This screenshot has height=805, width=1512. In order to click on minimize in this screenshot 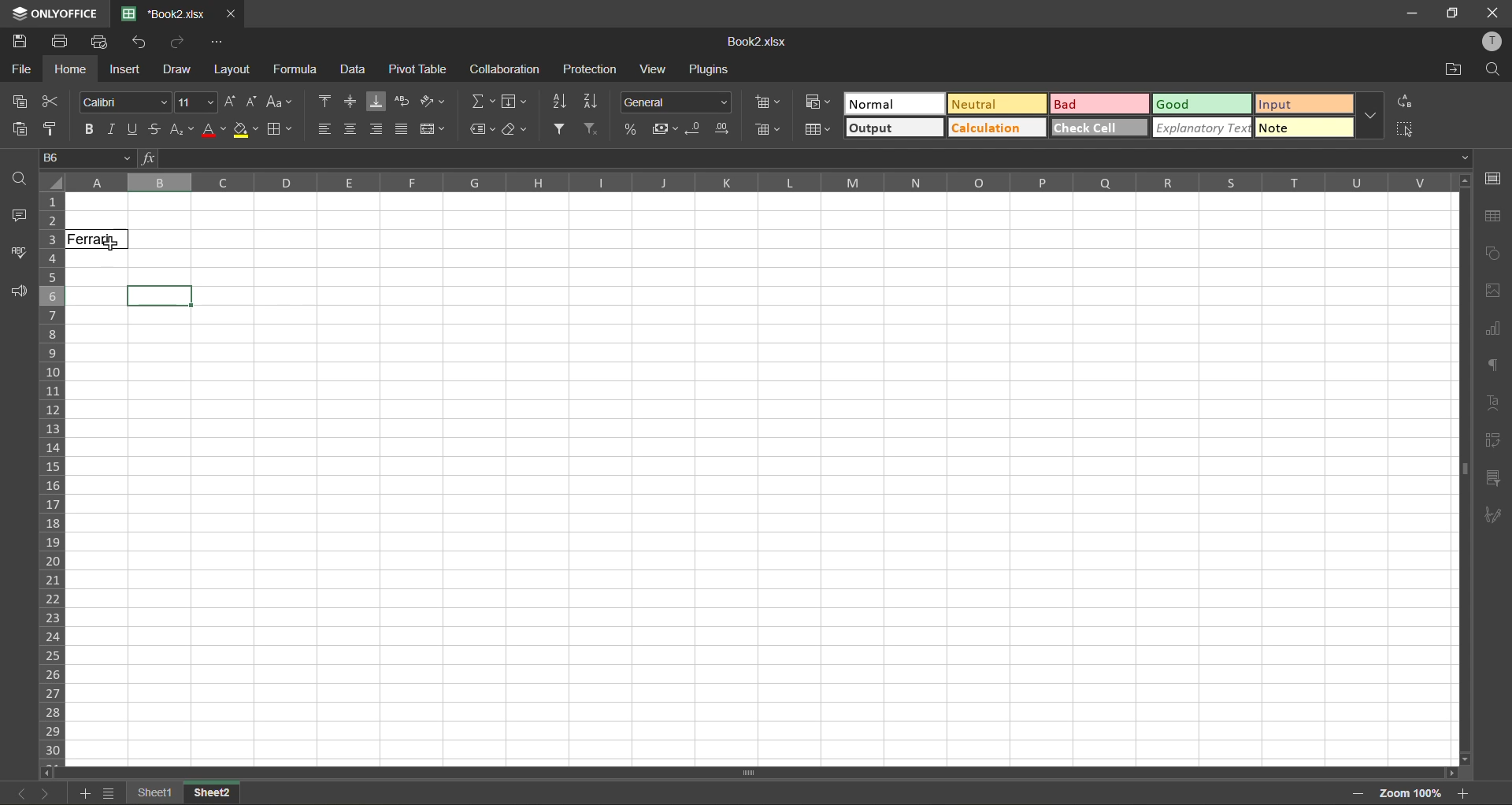, I will do `click(1419, 14)`.